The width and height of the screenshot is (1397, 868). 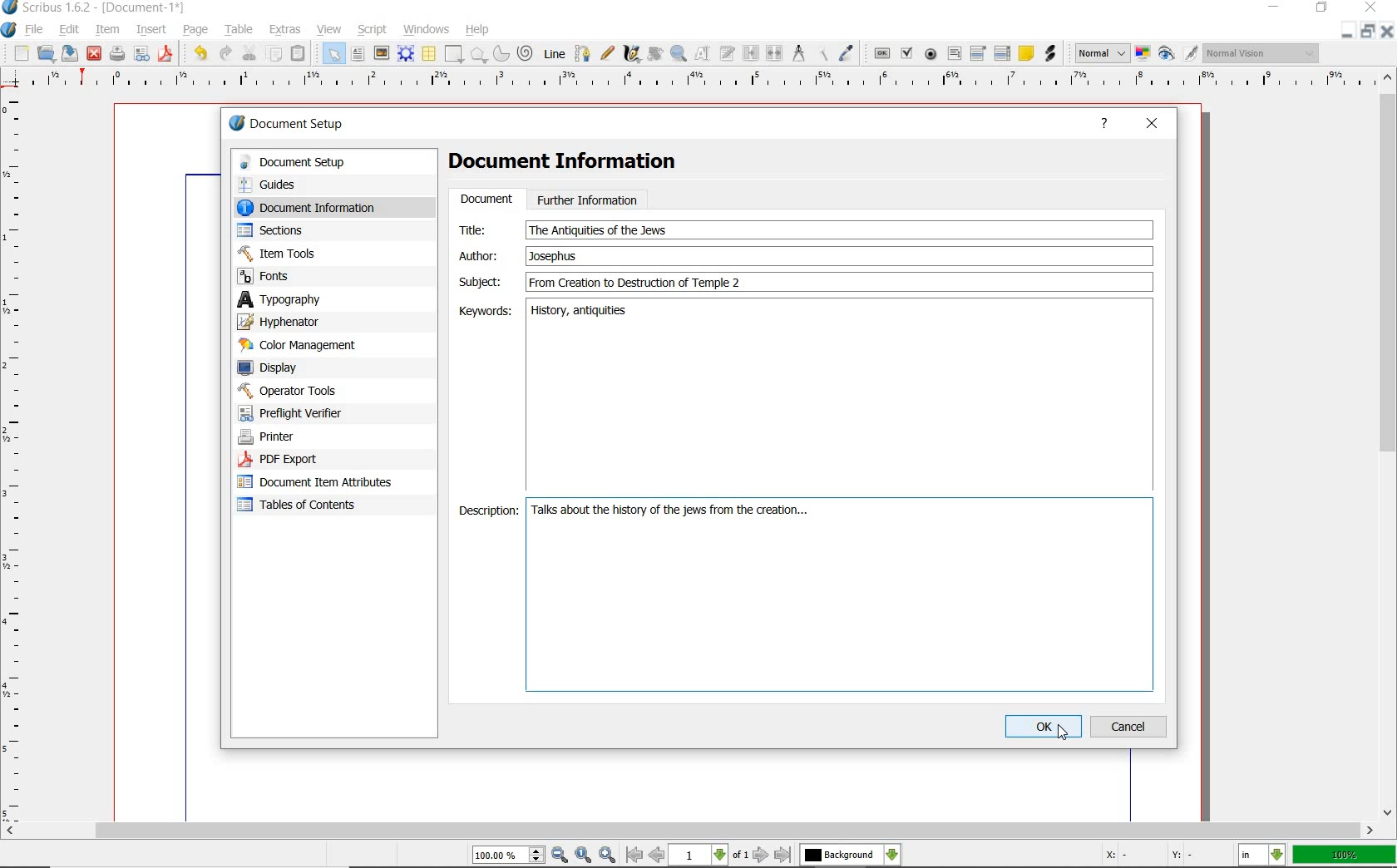 What do you see at coordinates (250, 53) in the screenshot?
I see `cut` at bounding box center [250, 53].